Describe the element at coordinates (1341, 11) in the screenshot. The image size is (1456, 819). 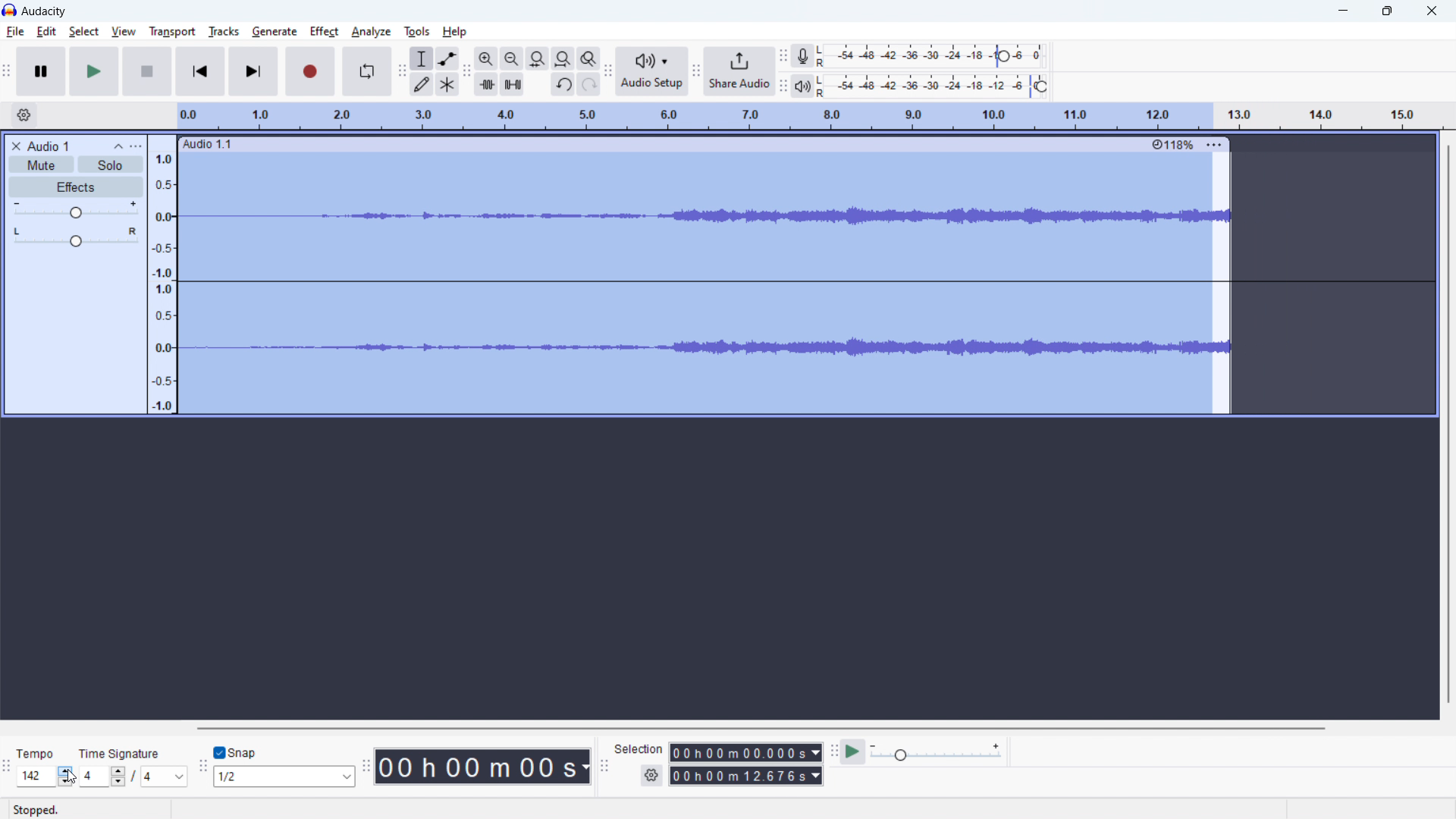
I see `Minimize` at that location.